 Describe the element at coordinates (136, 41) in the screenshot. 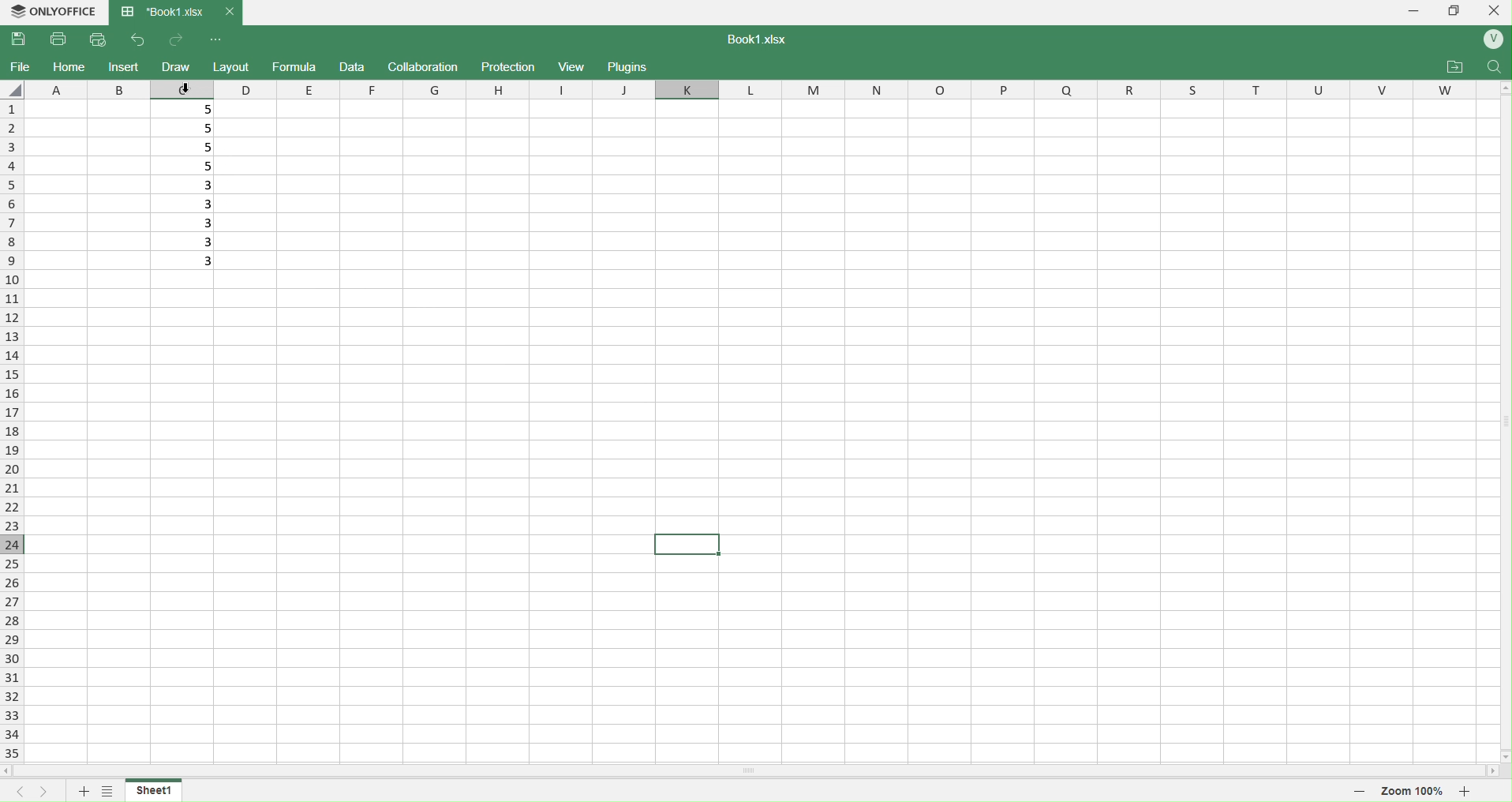

I see `undo` at that location.